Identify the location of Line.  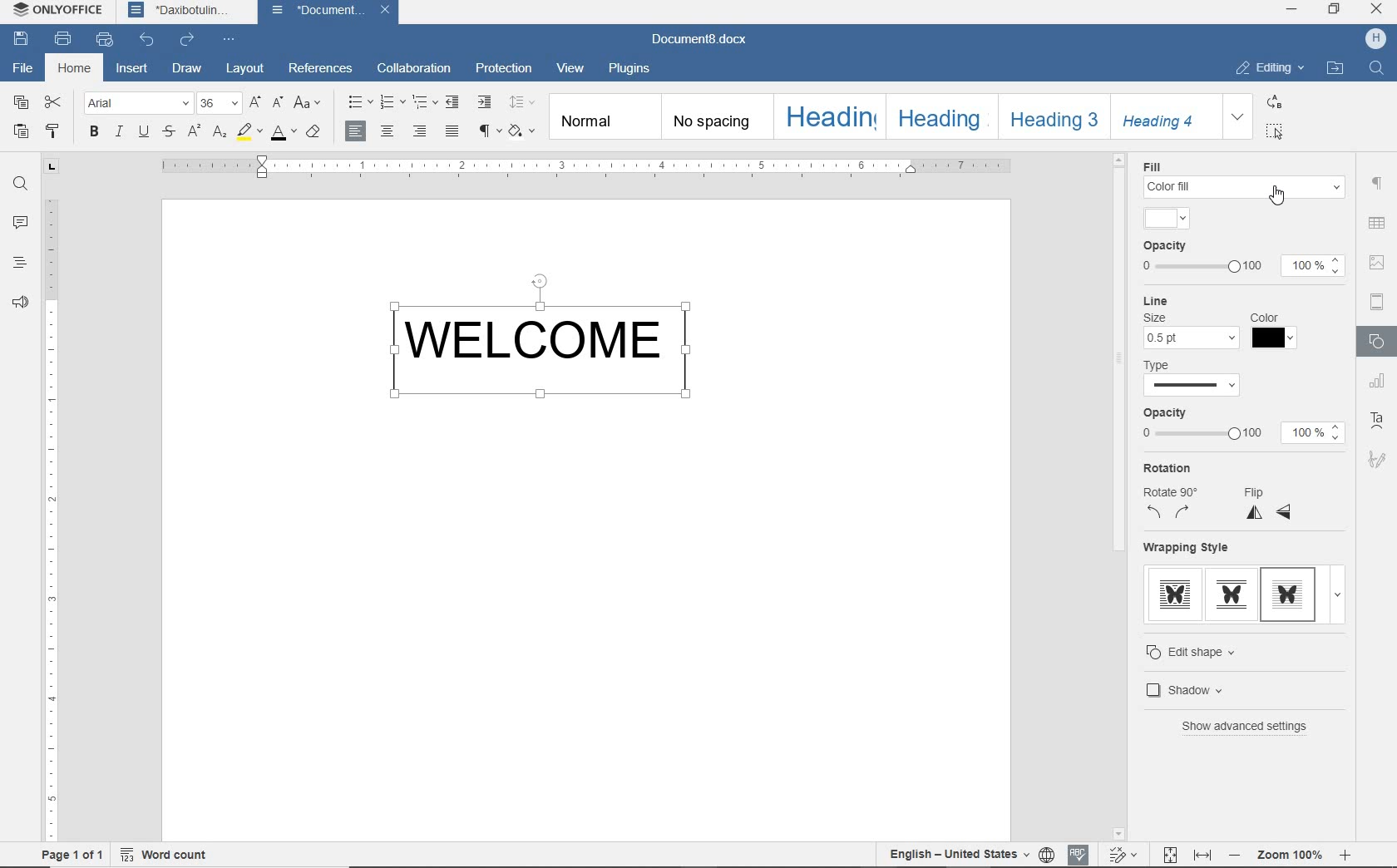
(1155, 300).